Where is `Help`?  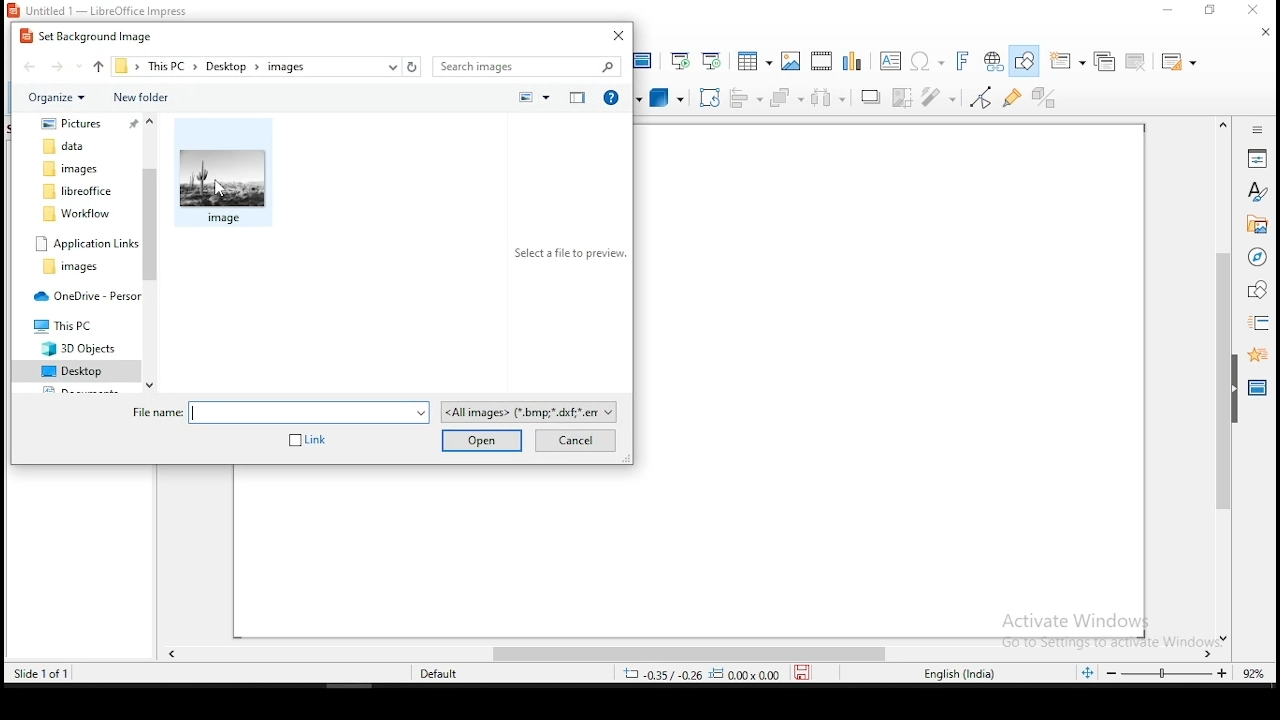
Help is located at coordinates (613, 96).